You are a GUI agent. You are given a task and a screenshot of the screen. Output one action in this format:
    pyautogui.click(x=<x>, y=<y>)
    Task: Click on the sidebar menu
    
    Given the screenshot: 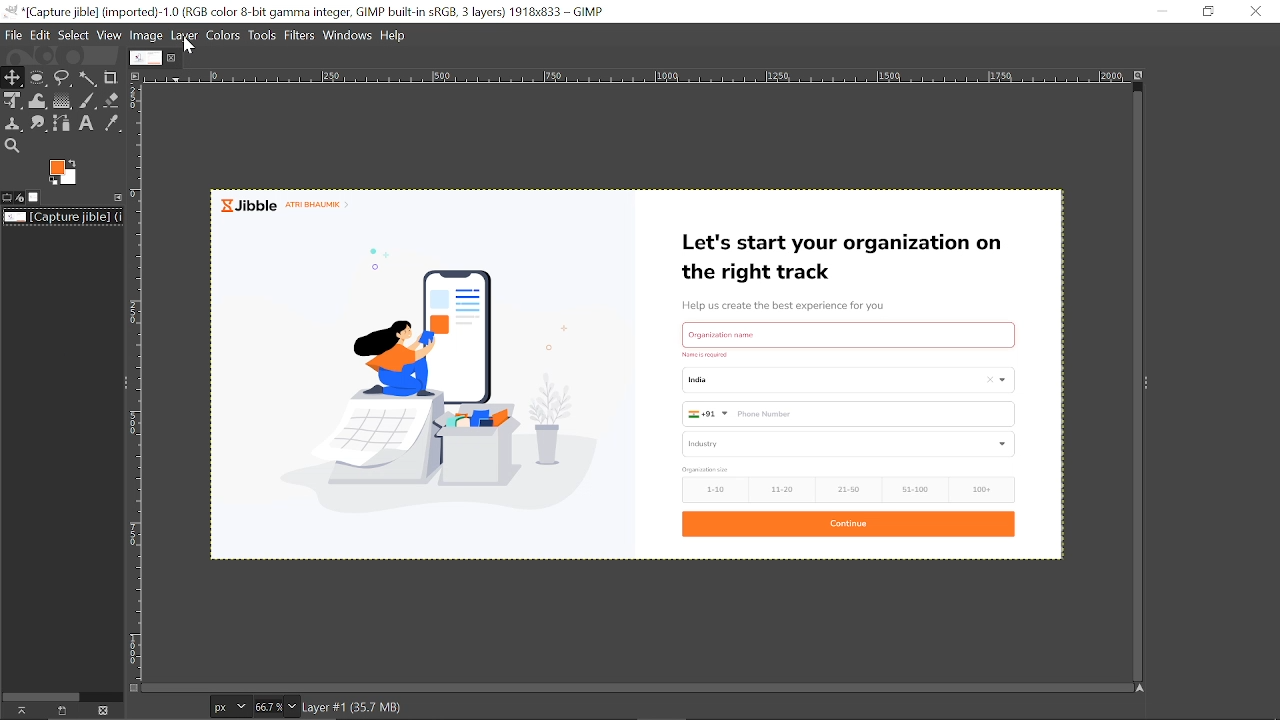 What is the action you would take?
    pyautogui.click(x=1146, y=381)
    